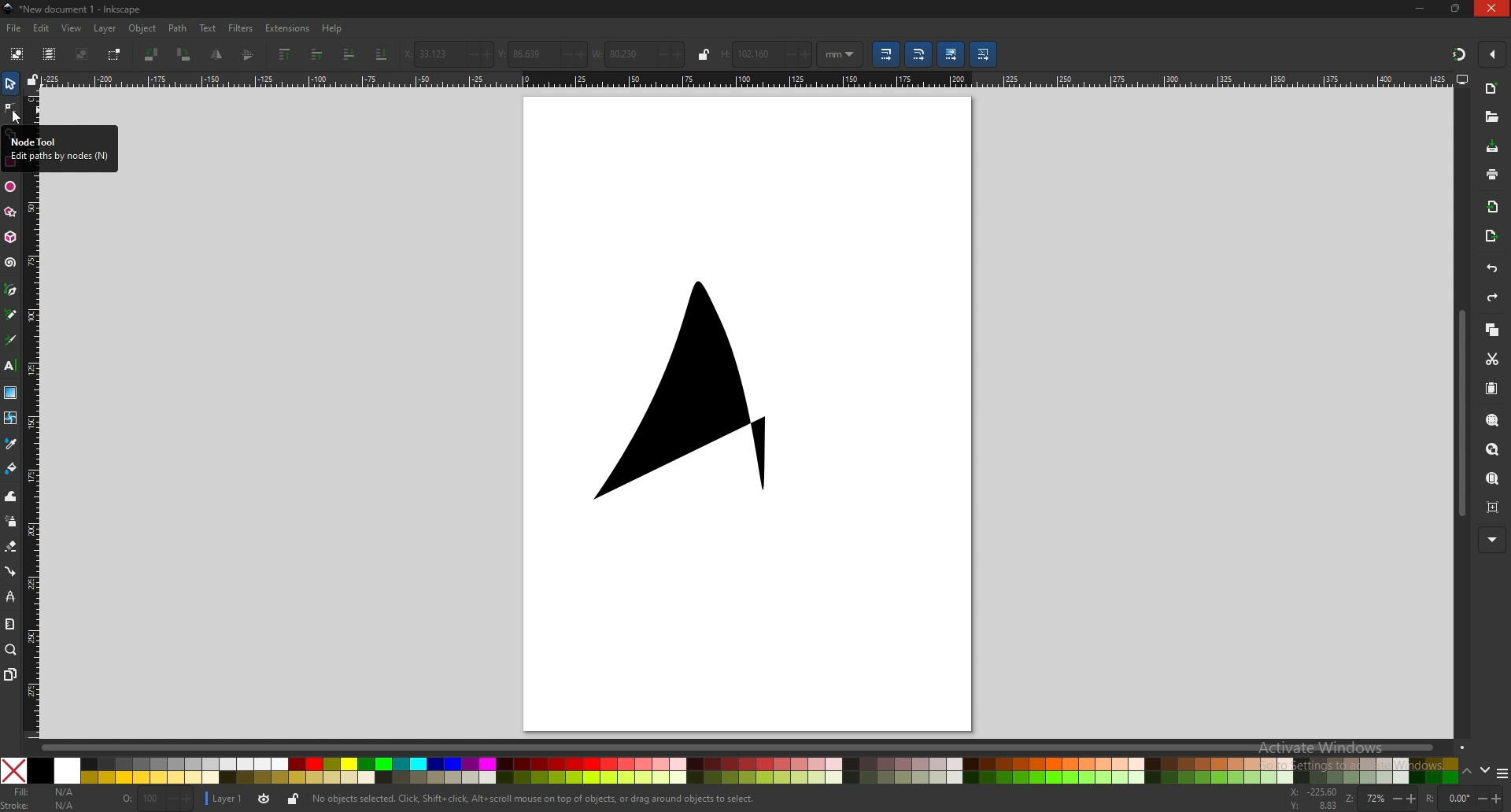 Image resolution: width=1511 pixels, height=812 pixels. What do you see at coordinates (17, 54) in the screenshot?
I see `select all` at bounding box center [17, 54].